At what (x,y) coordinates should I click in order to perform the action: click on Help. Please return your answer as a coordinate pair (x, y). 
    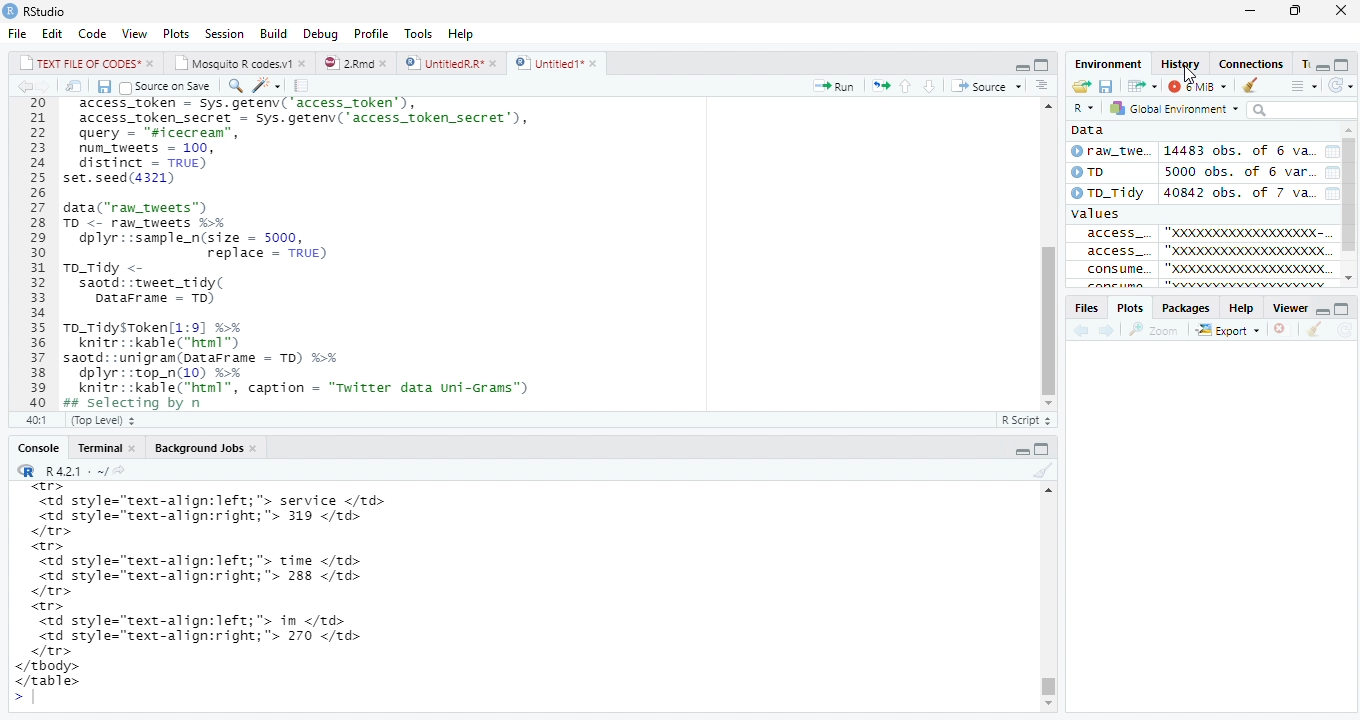
    Looking at the image, I should click on (462, 33).